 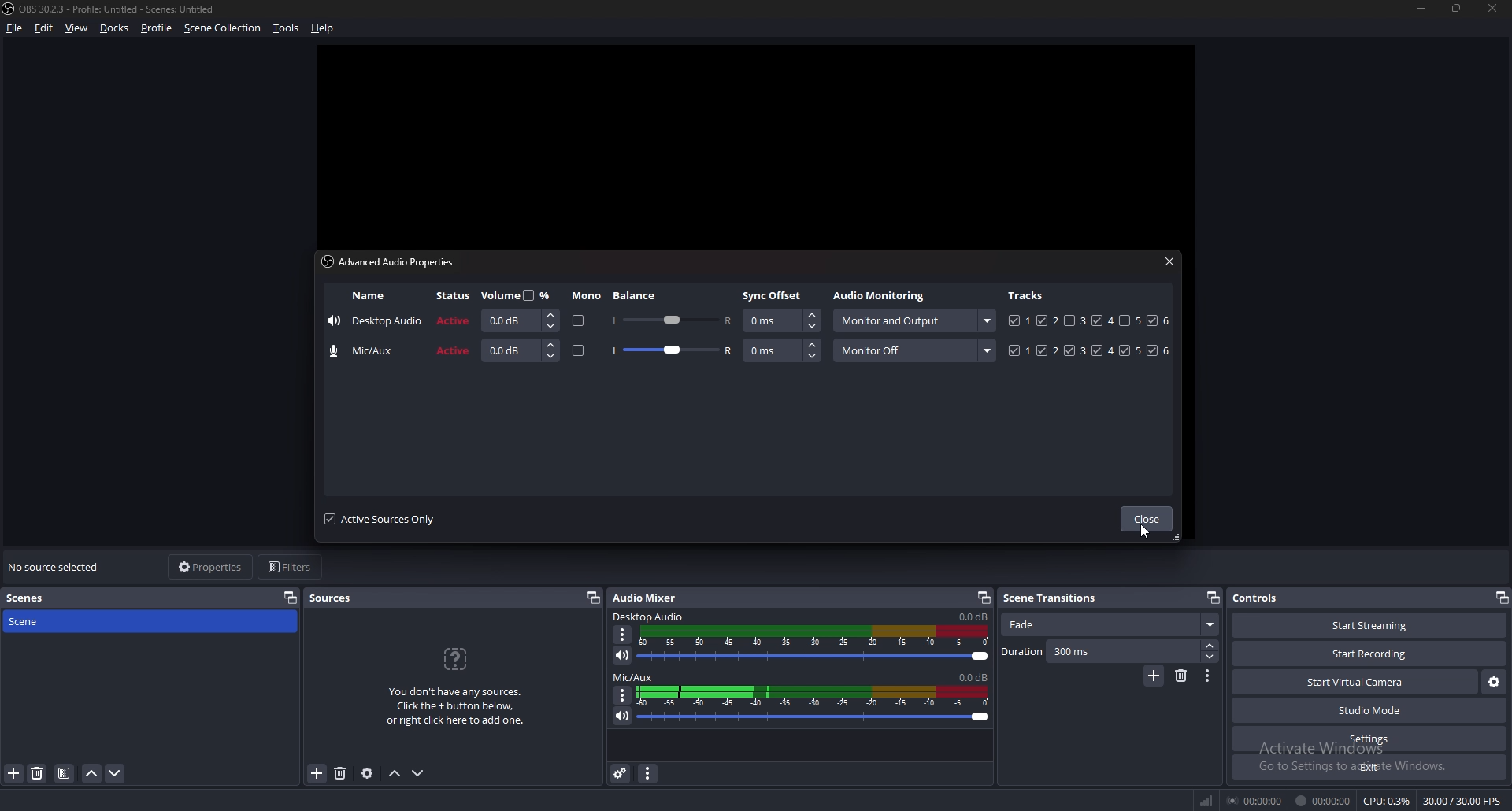 What do you see at coordinates (37, 622) in the screenshot?
I see `scene` at bounding box center [37, 622].